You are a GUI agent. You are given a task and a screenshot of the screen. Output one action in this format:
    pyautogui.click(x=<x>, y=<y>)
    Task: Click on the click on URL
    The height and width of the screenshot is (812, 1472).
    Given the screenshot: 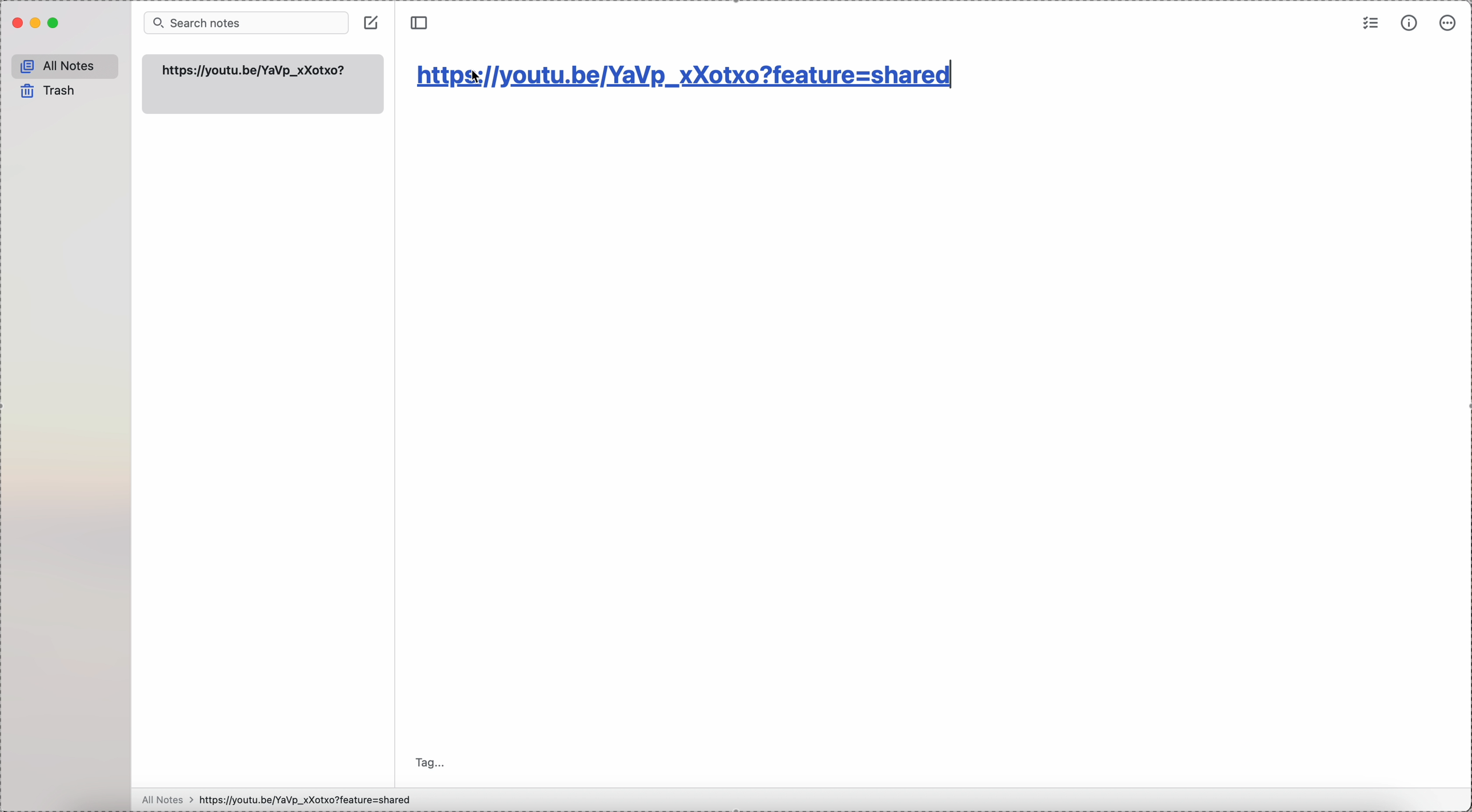 What is the action you would take?
    pyautogui.click(x=685, y=76)
    